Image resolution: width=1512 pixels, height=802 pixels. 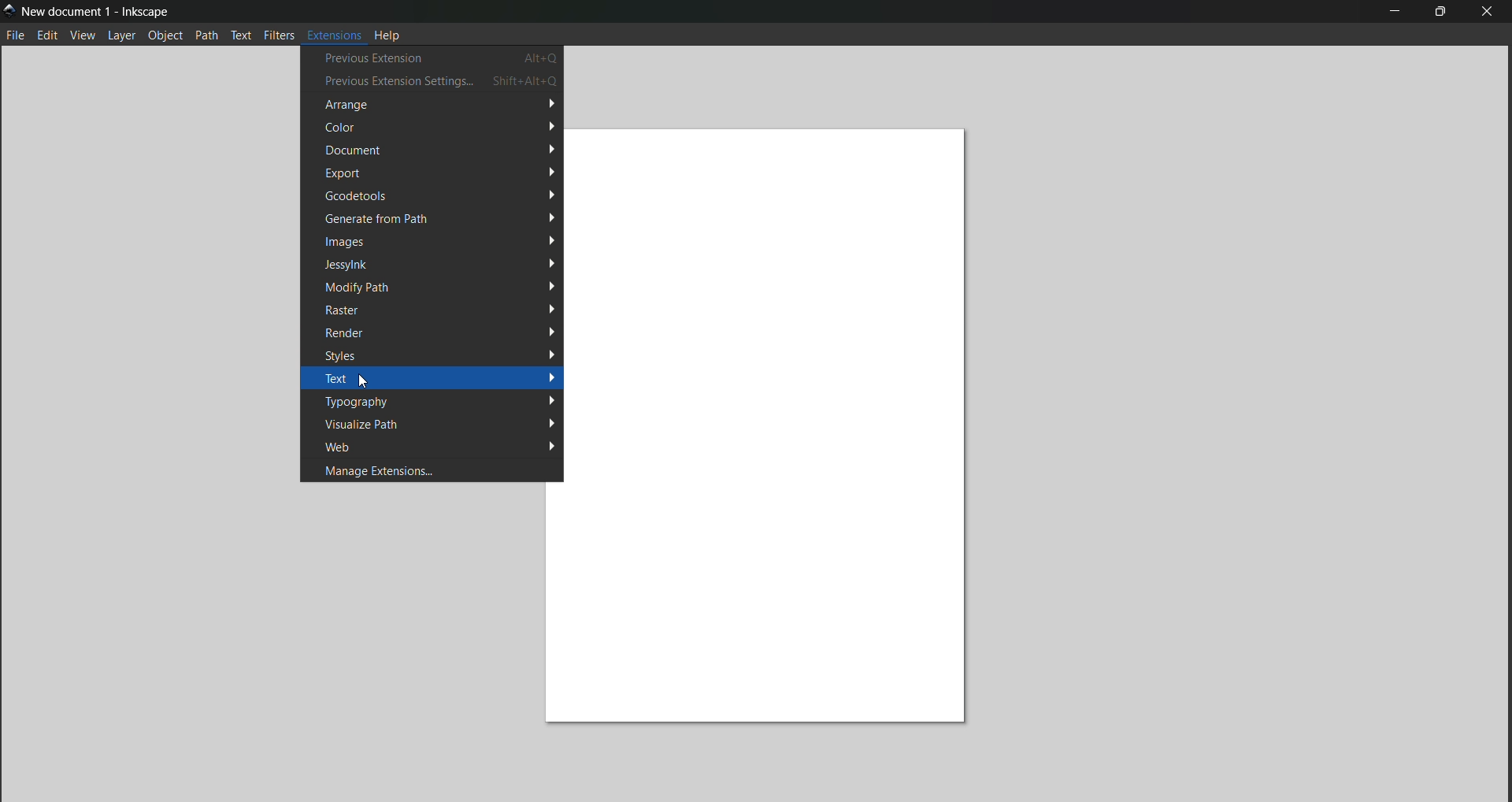 I want to click on extensions, so click(x=333, y=33).